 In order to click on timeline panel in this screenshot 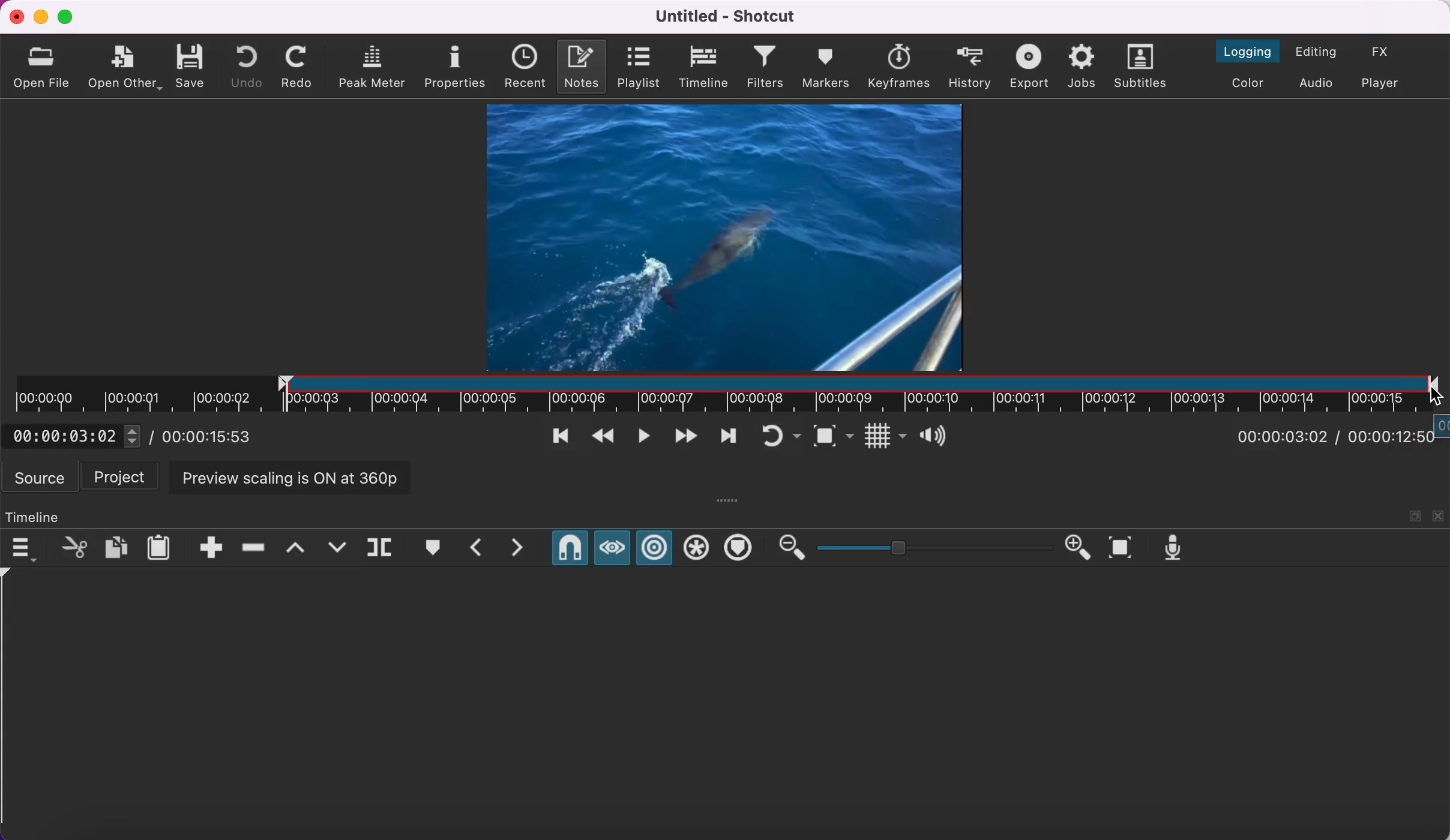, I will do `click(34, 517)`.